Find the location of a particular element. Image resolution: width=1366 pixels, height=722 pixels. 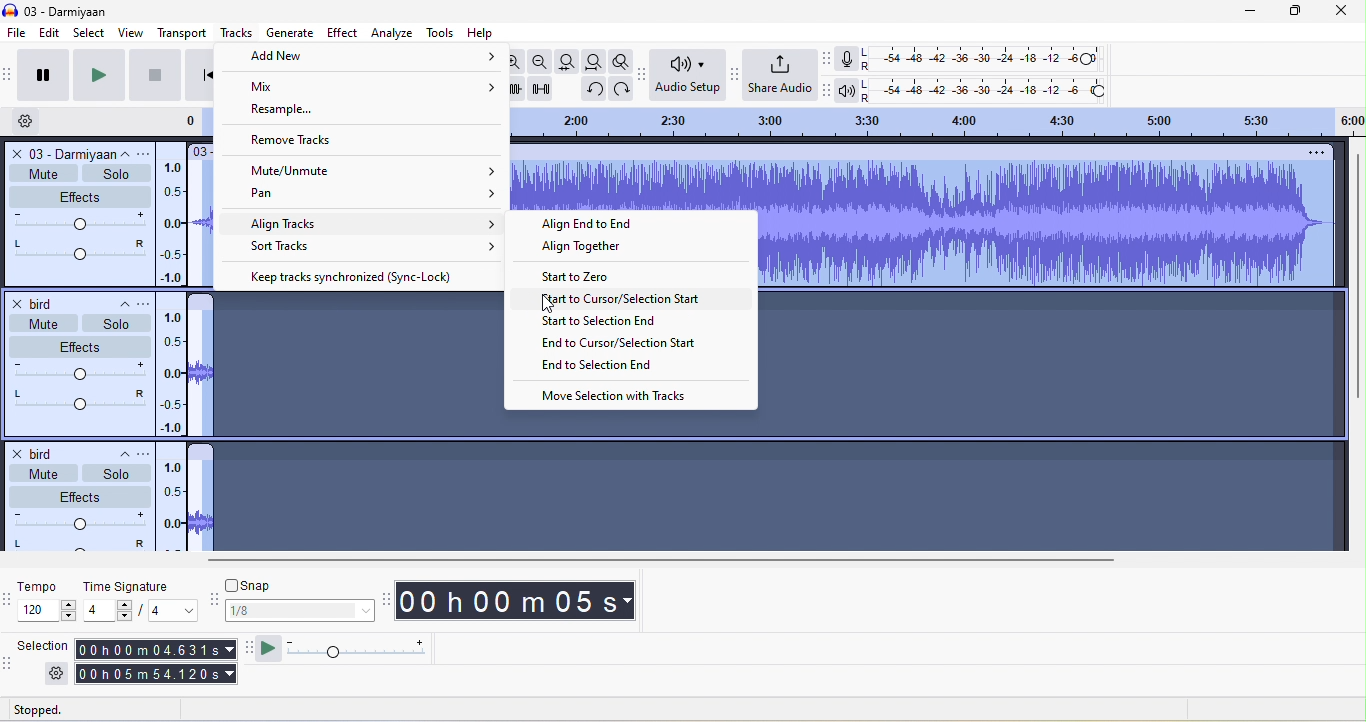

play is located at coordinates (96, 76).